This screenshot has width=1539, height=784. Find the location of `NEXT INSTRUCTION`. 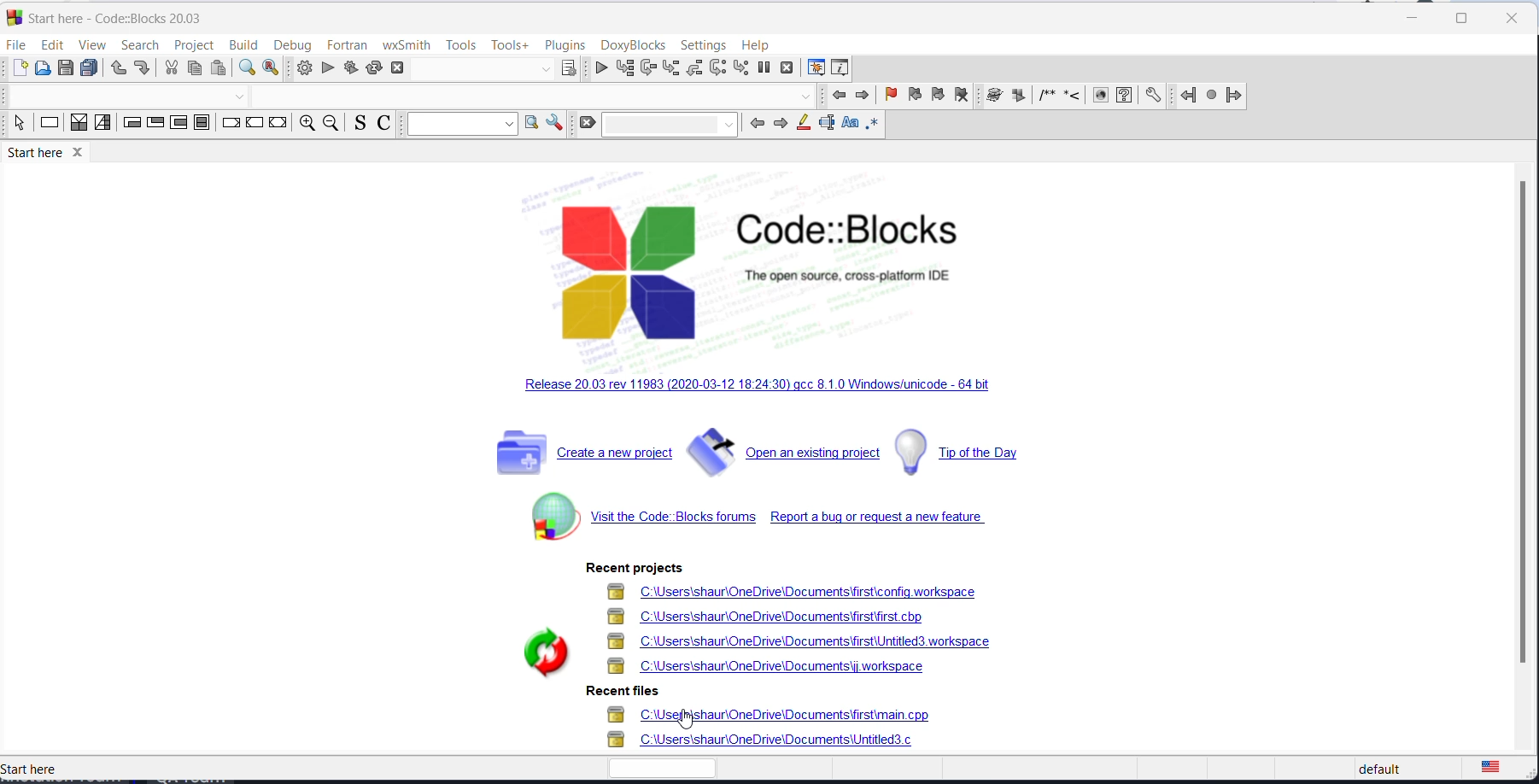

NEXT INSTRUCTION is located at coordinates (719, 69).